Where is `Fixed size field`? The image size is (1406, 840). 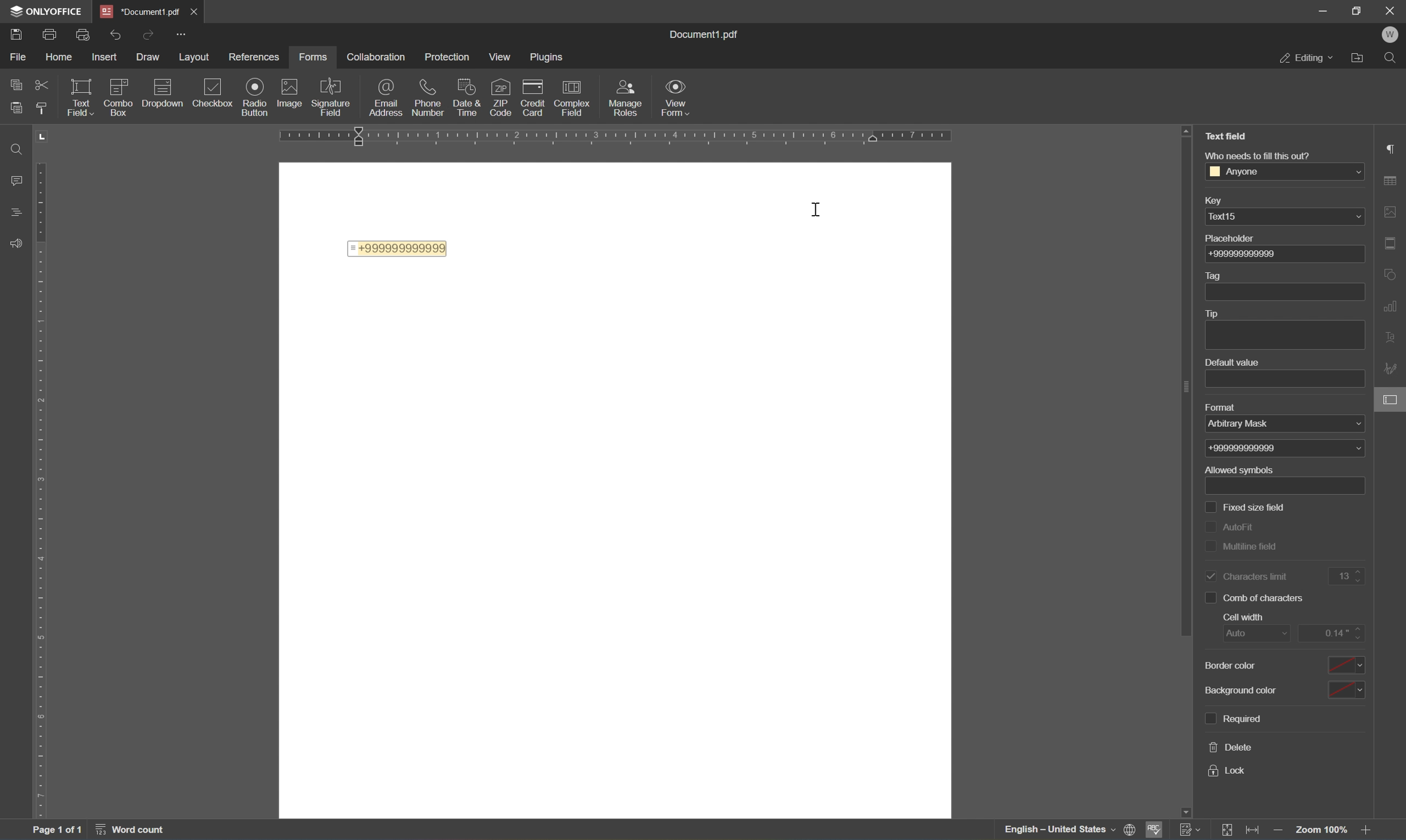 Fixed size field is located at coordinates (1241, 505).